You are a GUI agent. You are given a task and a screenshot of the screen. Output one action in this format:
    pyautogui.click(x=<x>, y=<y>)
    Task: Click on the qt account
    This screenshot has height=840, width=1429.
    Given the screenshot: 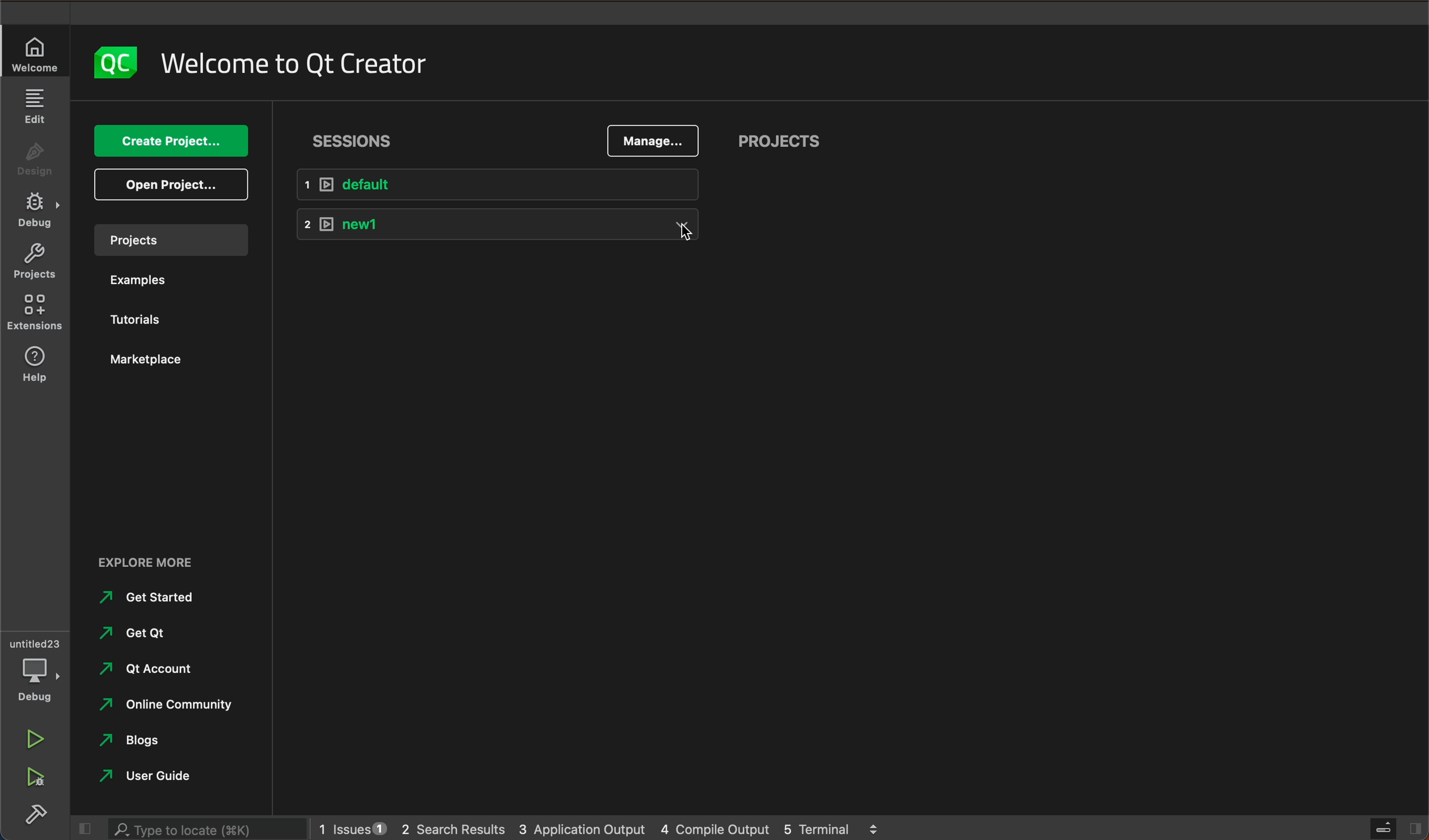 What is the action you would take?
    pyautogui.click(x=157, y=667)
    